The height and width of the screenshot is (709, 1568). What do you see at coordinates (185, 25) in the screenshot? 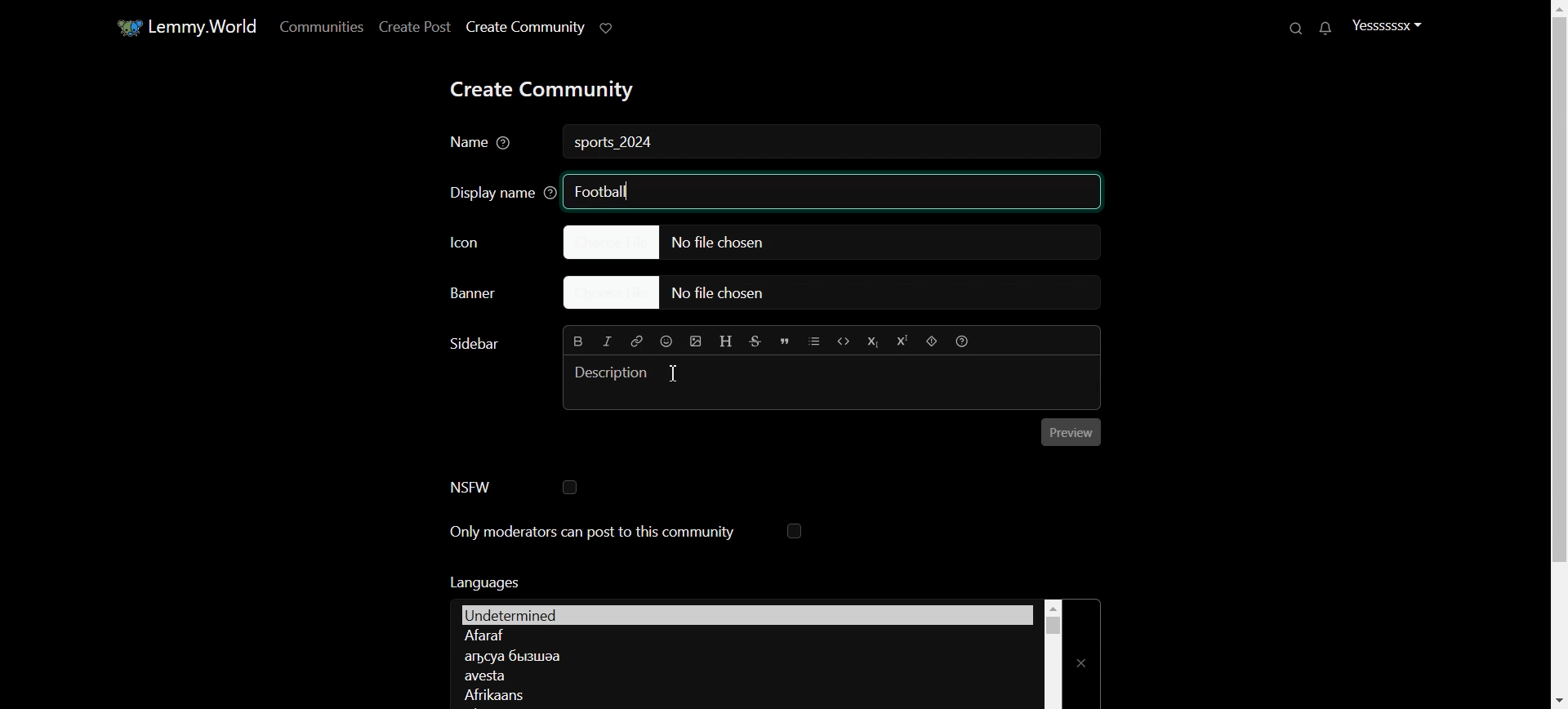
I see `Home window` at bounding box center [185, 25].